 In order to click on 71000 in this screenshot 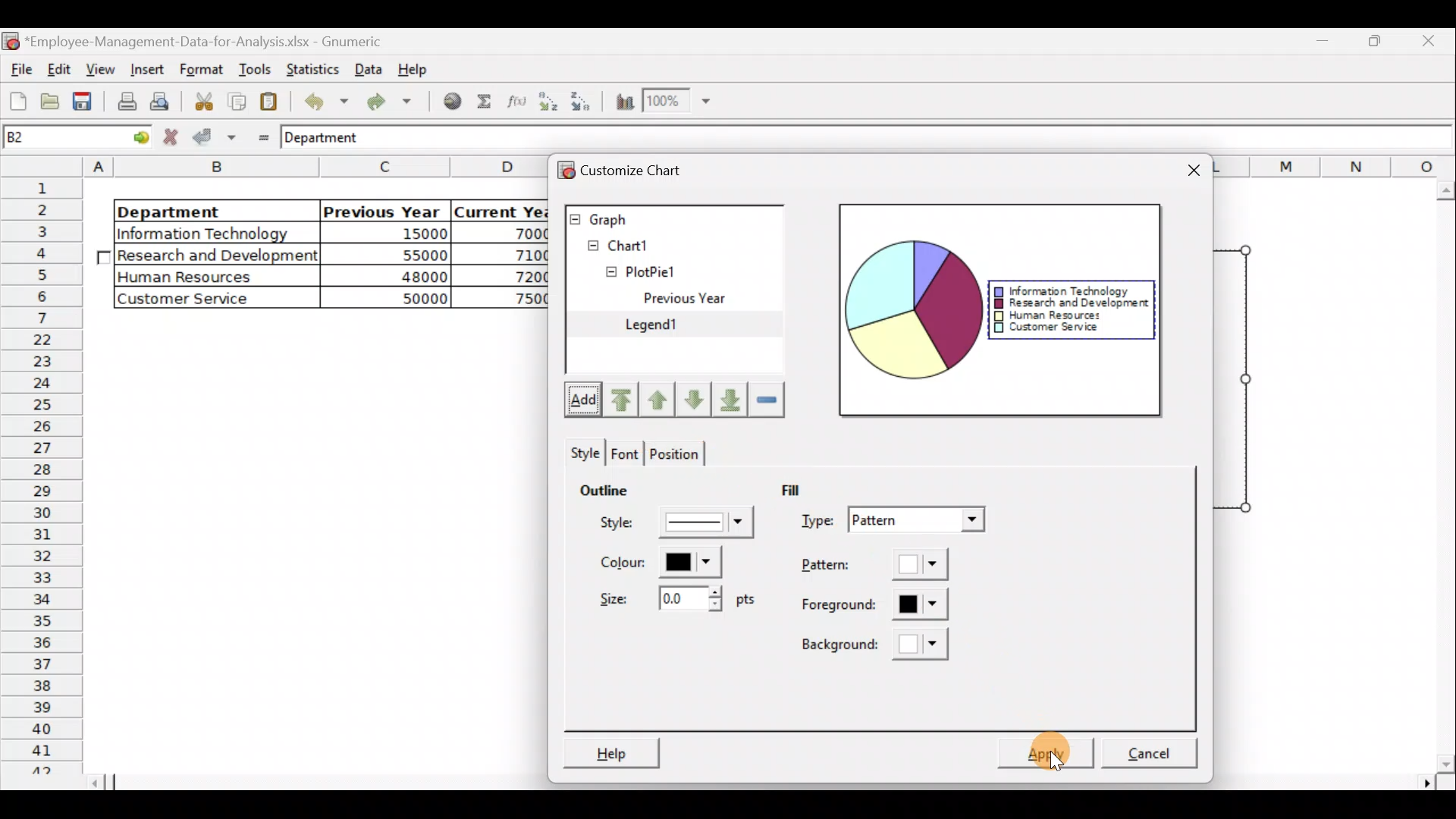, I will do `click(519, 255)`.